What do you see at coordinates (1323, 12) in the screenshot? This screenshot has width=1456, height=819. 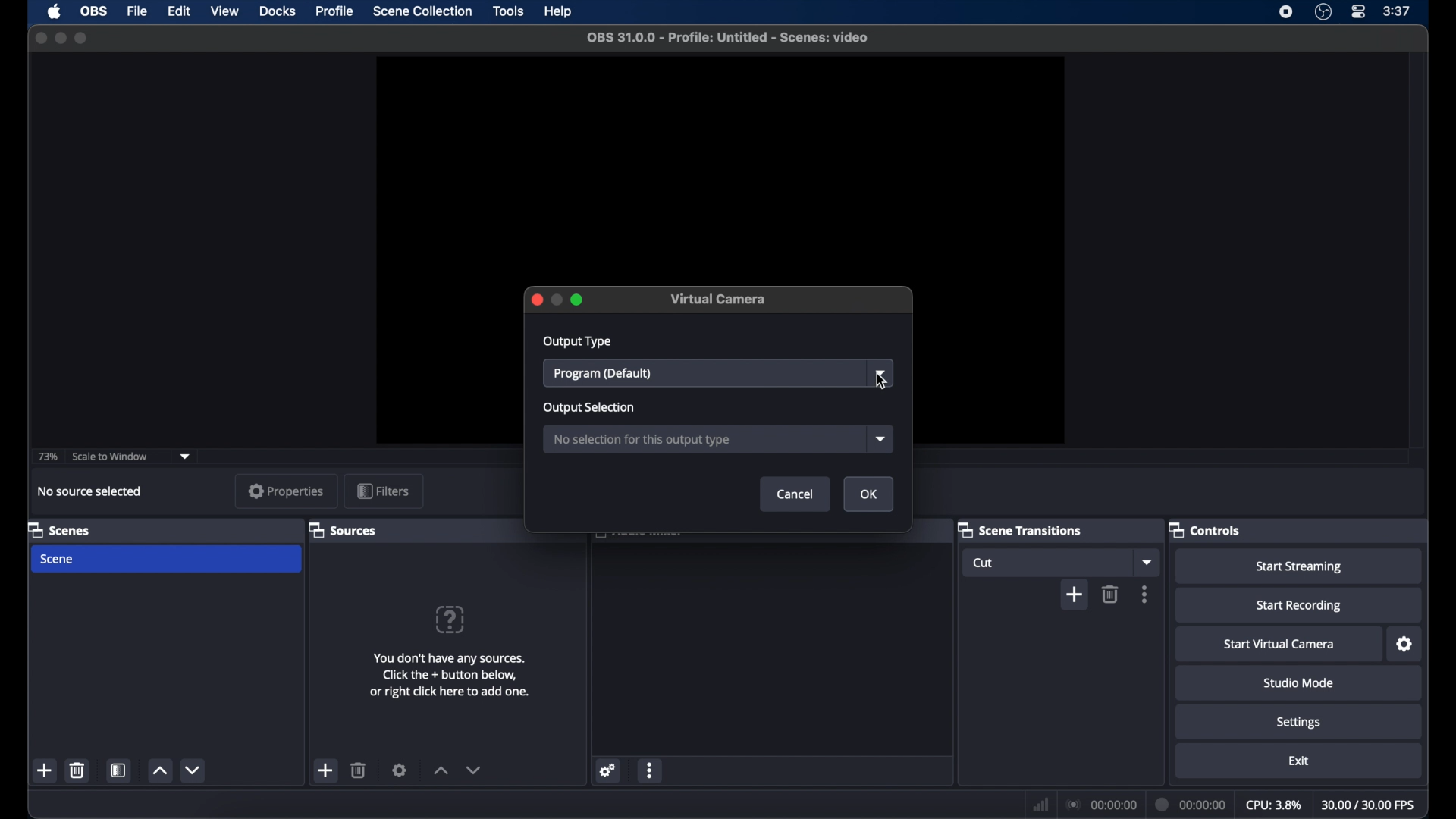 I see `obs studio` at bounding box center [1323, 12].